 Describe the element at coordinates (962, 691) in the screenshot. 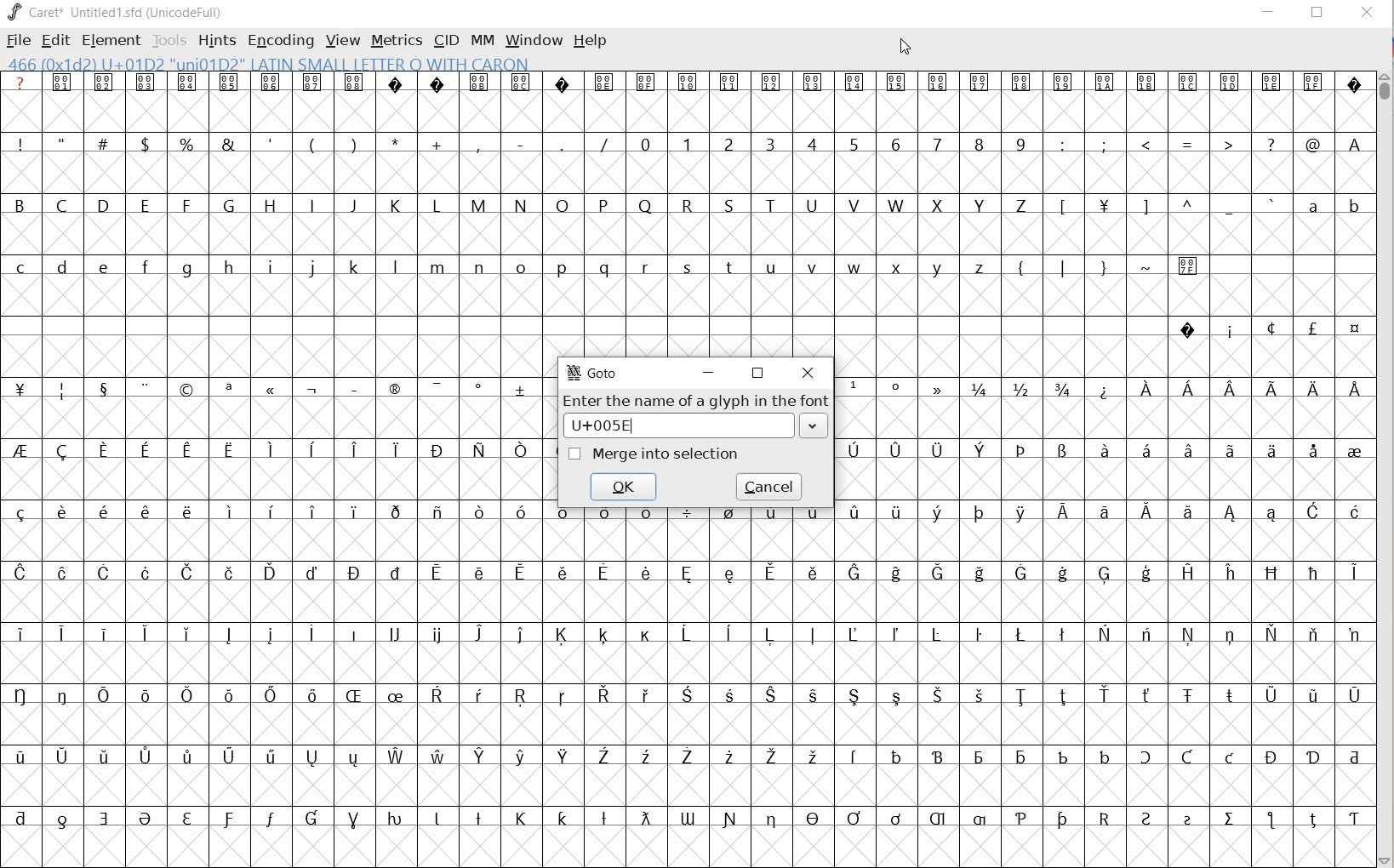

I see `glyph characters` at that location.